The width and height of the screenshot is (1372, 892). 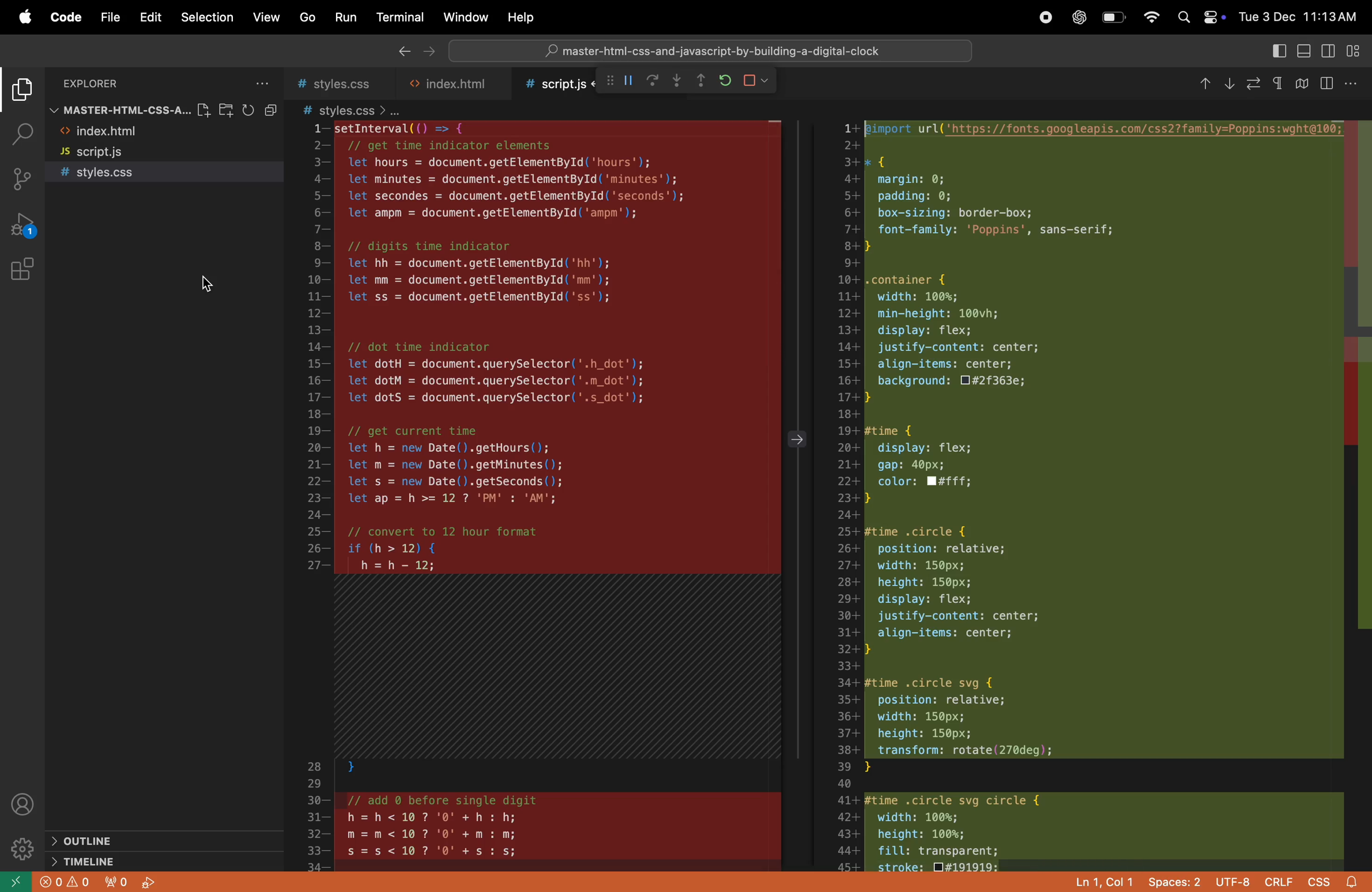 I want to click on edit, so click(x=151, y=17).